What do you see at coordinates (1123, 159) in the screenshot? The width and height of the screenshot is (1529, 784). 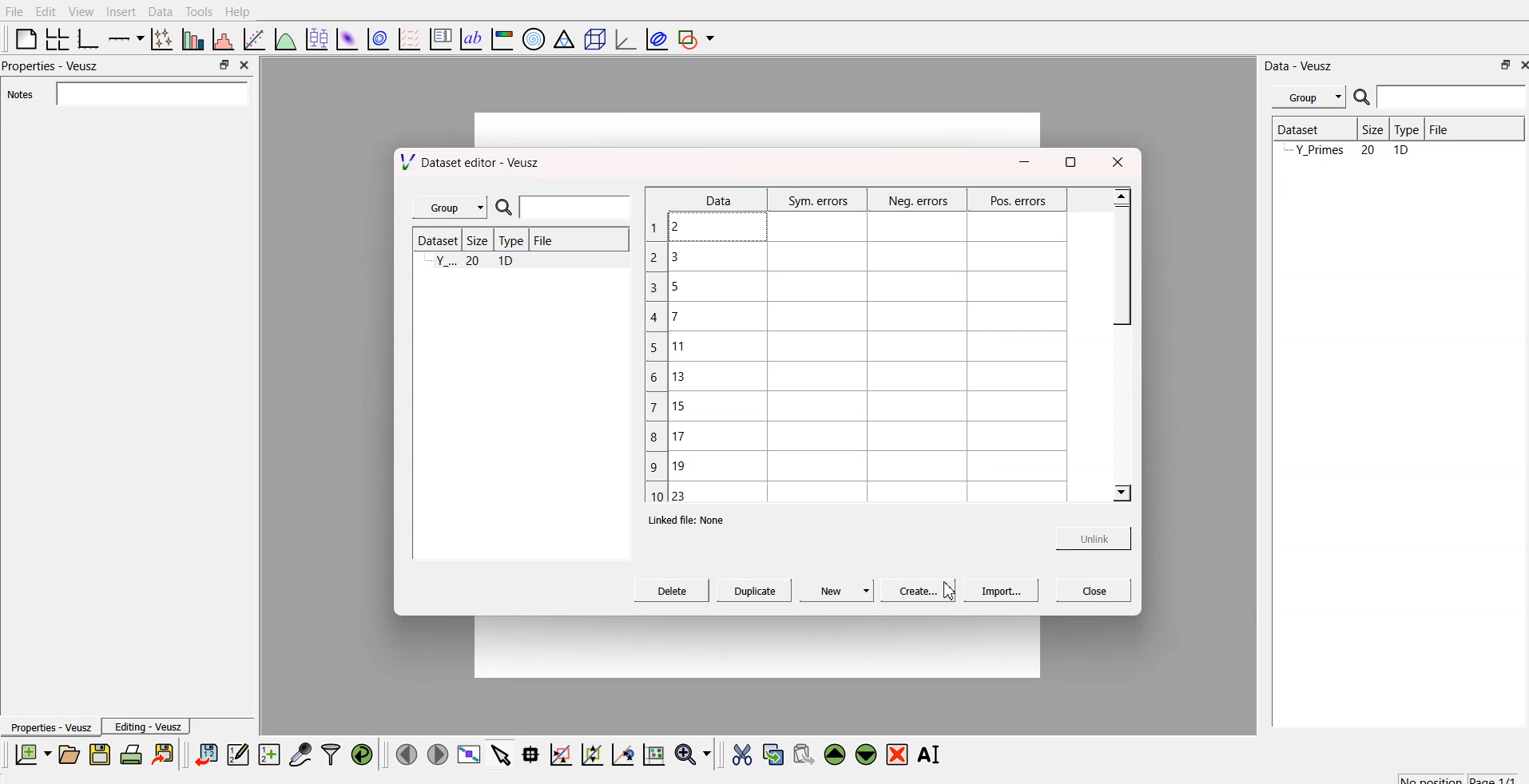 I see `close` at bounding box center [1123, 159].